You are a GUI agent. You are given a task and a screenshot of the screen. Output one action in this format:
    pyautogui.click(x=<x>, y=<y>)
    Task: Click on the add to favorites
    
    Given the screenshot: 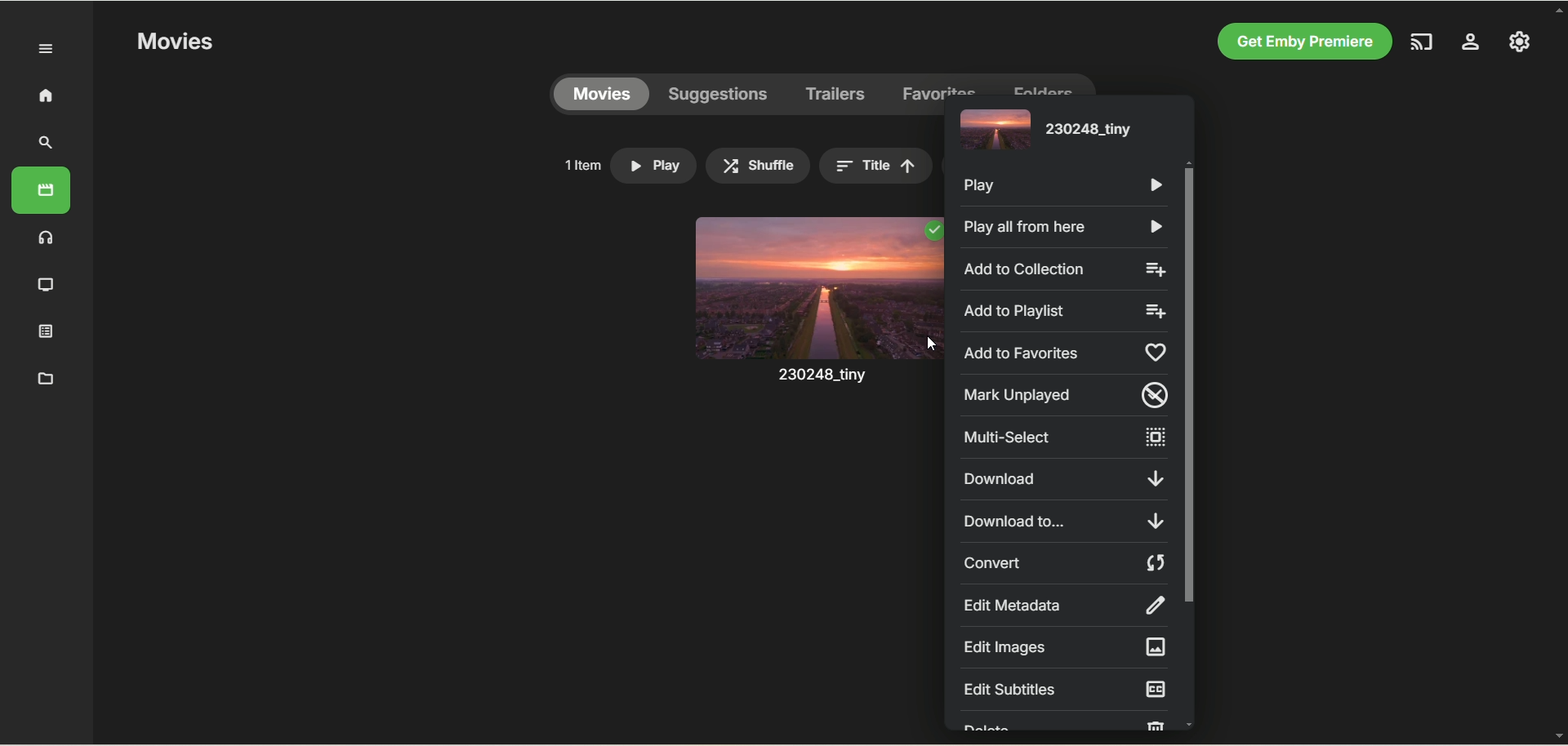 What is the action you would take?
    pyautogui.click(x=1067, y=351)
    